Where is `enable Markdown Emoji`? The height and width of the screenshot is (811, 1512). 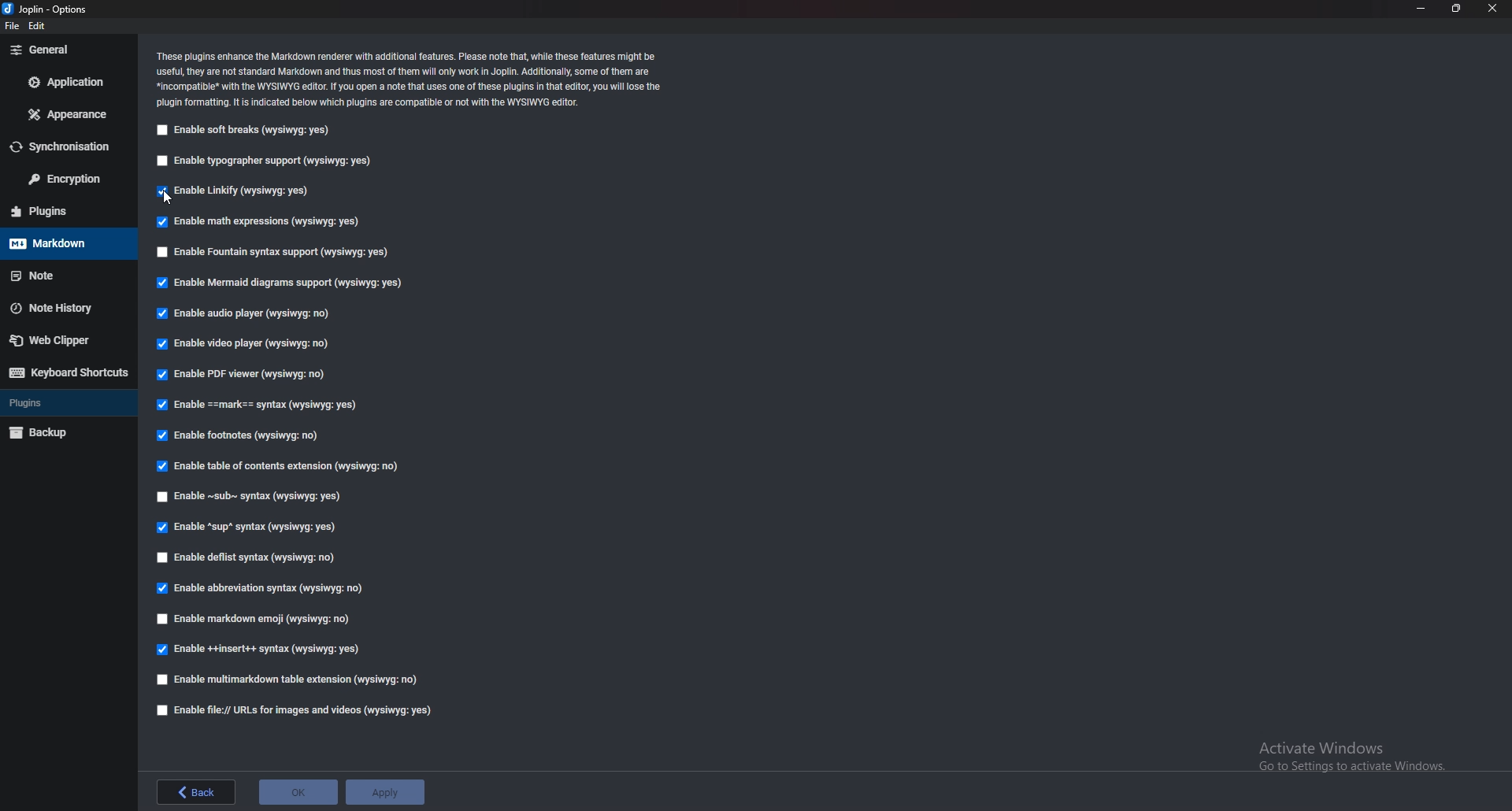
enable Markdown Emoji is located at coordinates (260, 620).